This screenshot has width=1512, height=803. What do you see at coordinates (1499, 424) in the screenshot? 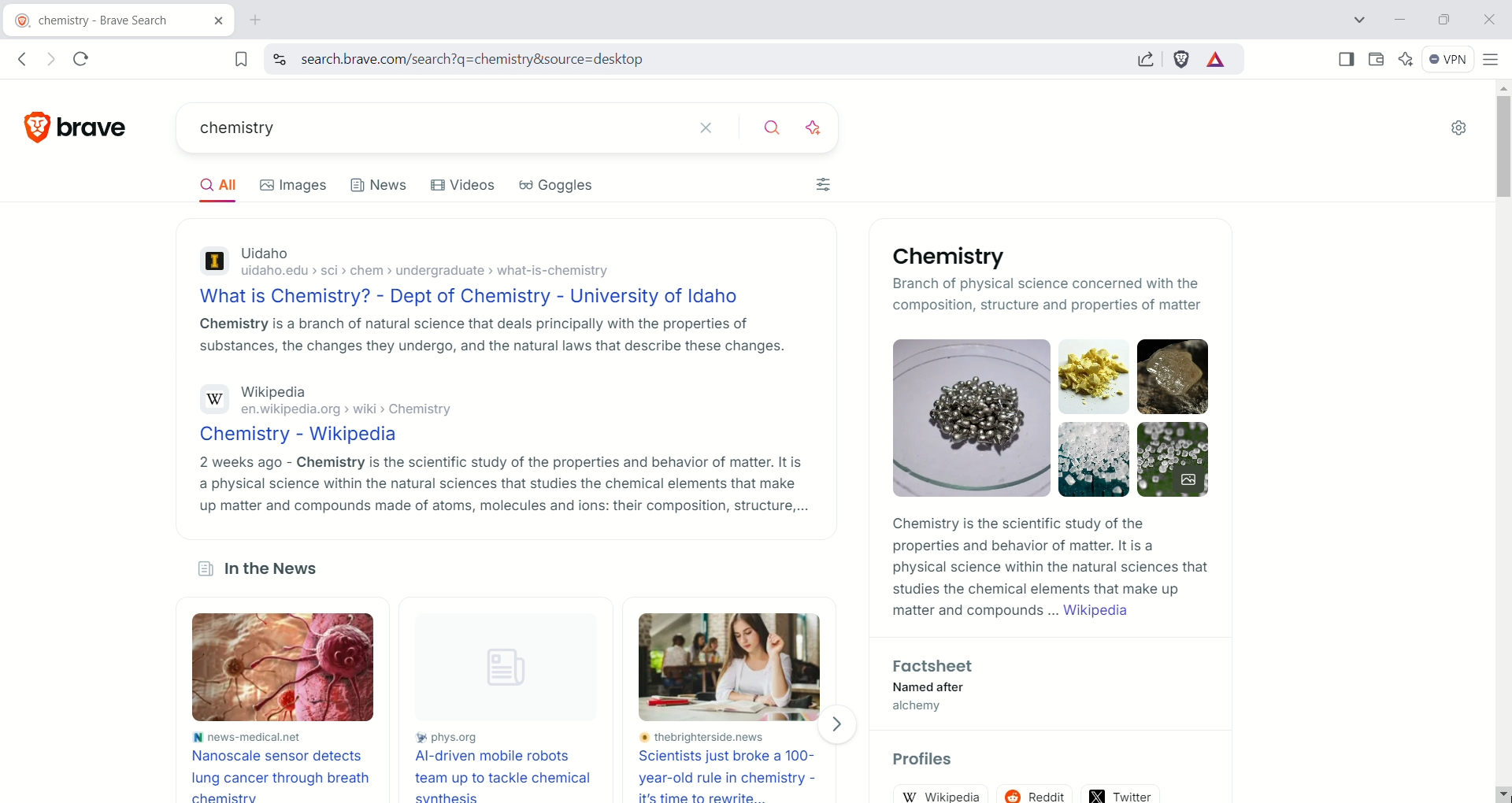
I see `vertical scroll bar` at bounding box center [1499, 424].